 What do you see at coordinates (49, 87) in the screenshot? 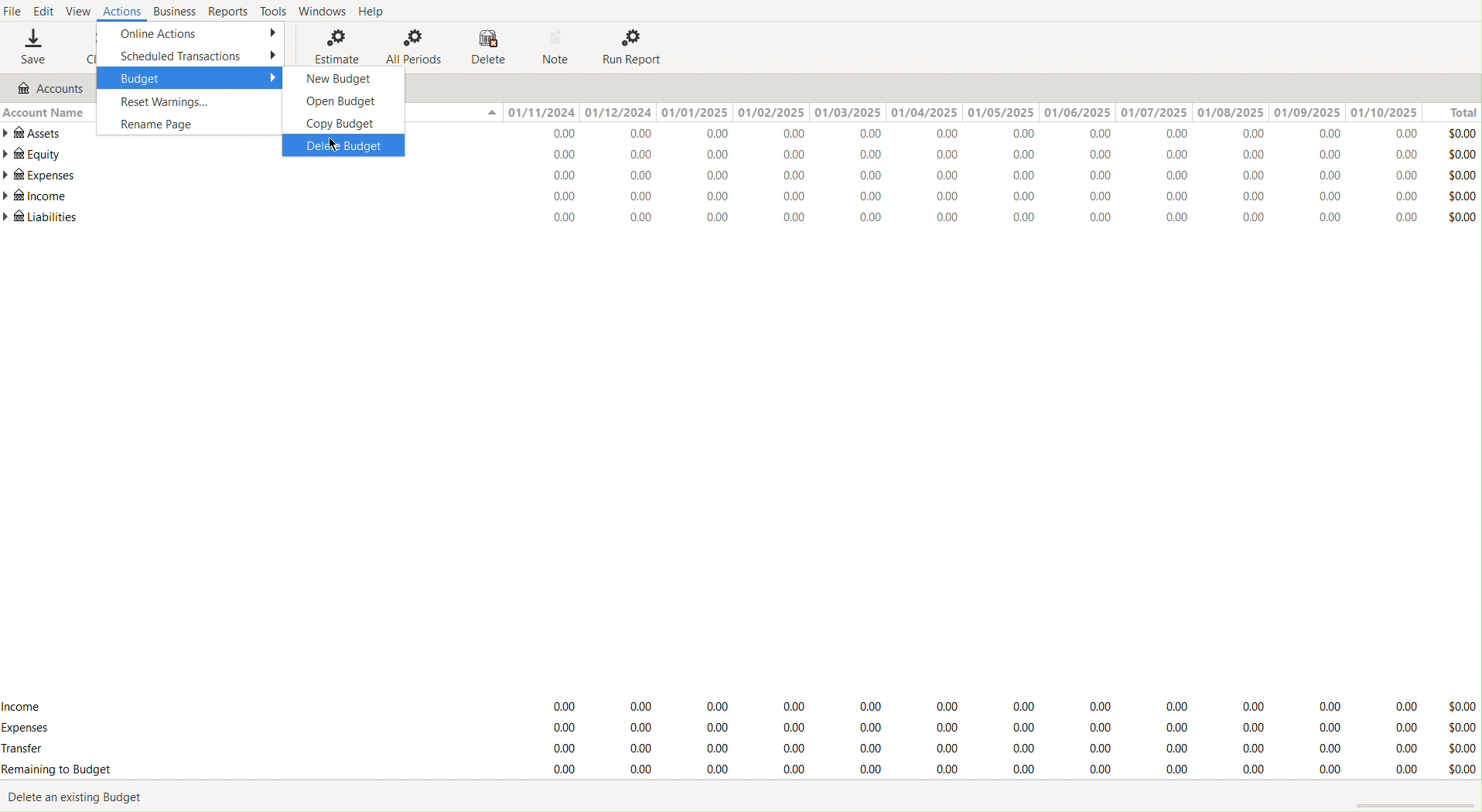
I see `Accounts` at bounding box center [49, 87].